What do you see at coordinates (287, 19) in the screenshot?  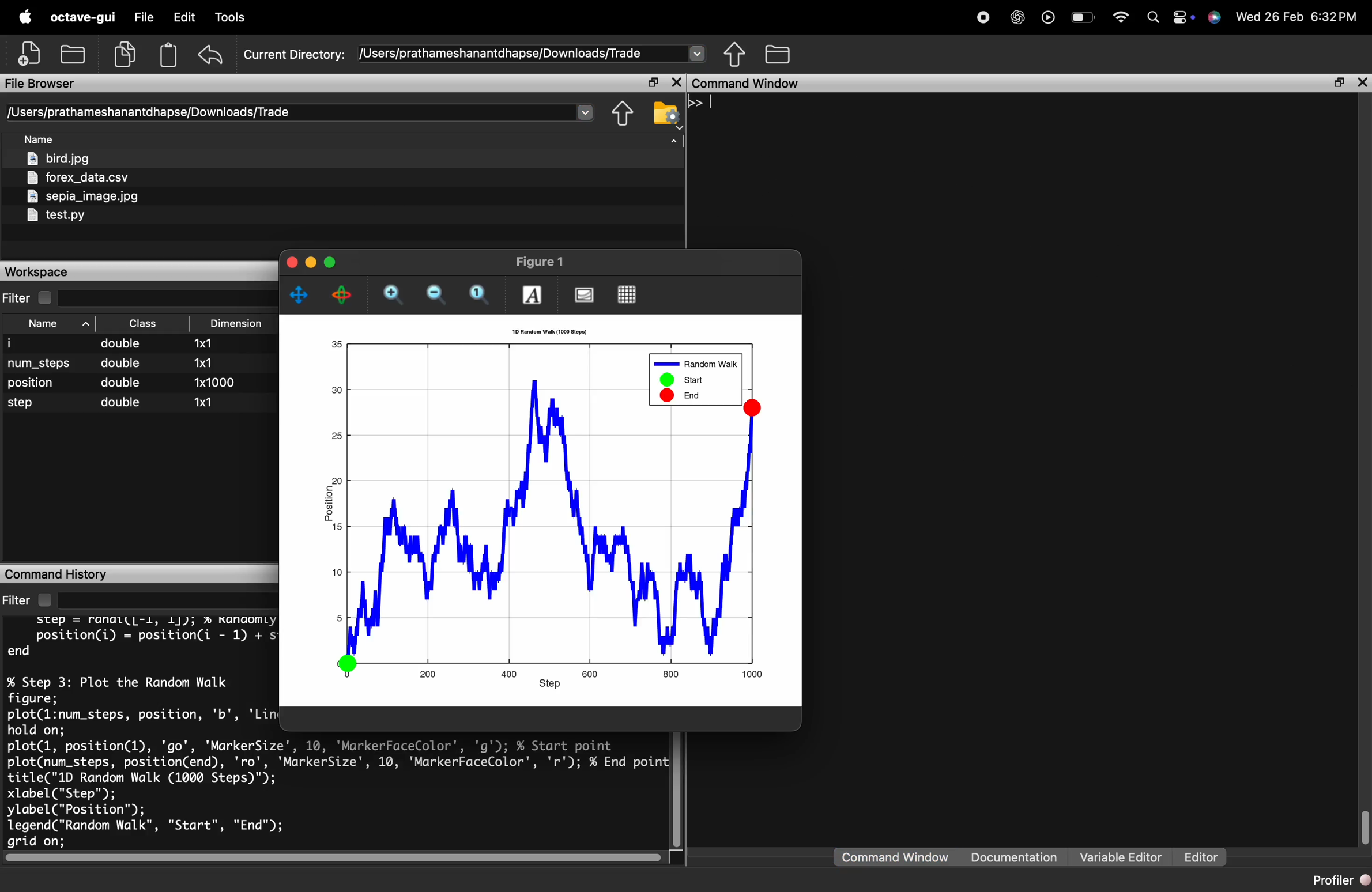 I see `tools` at bounding box center [287, 19].